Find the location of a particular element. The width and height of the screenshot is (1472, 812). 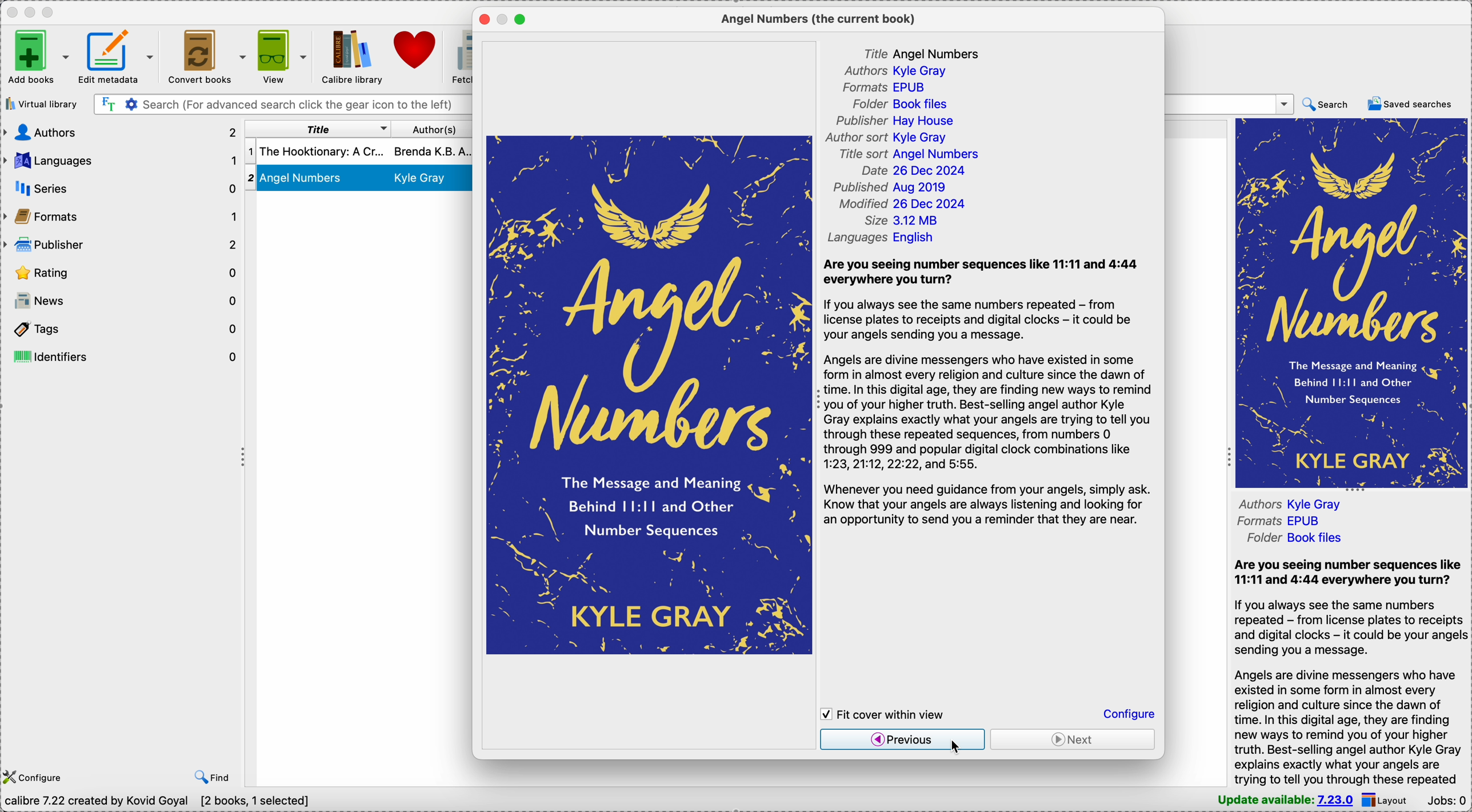

search bar is located at coordinates (1229, 103).